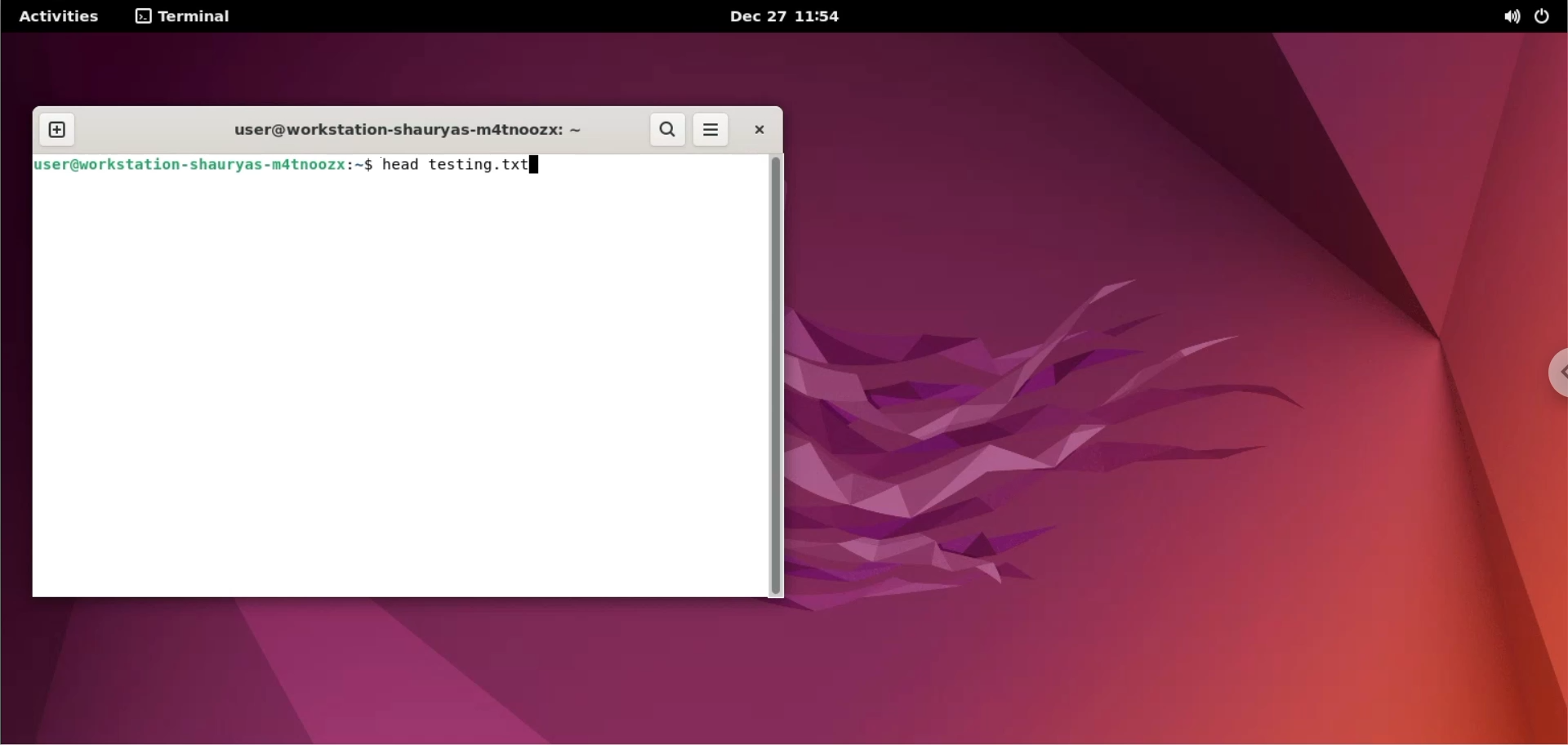  I want to click on new tab, so click(56, 129).